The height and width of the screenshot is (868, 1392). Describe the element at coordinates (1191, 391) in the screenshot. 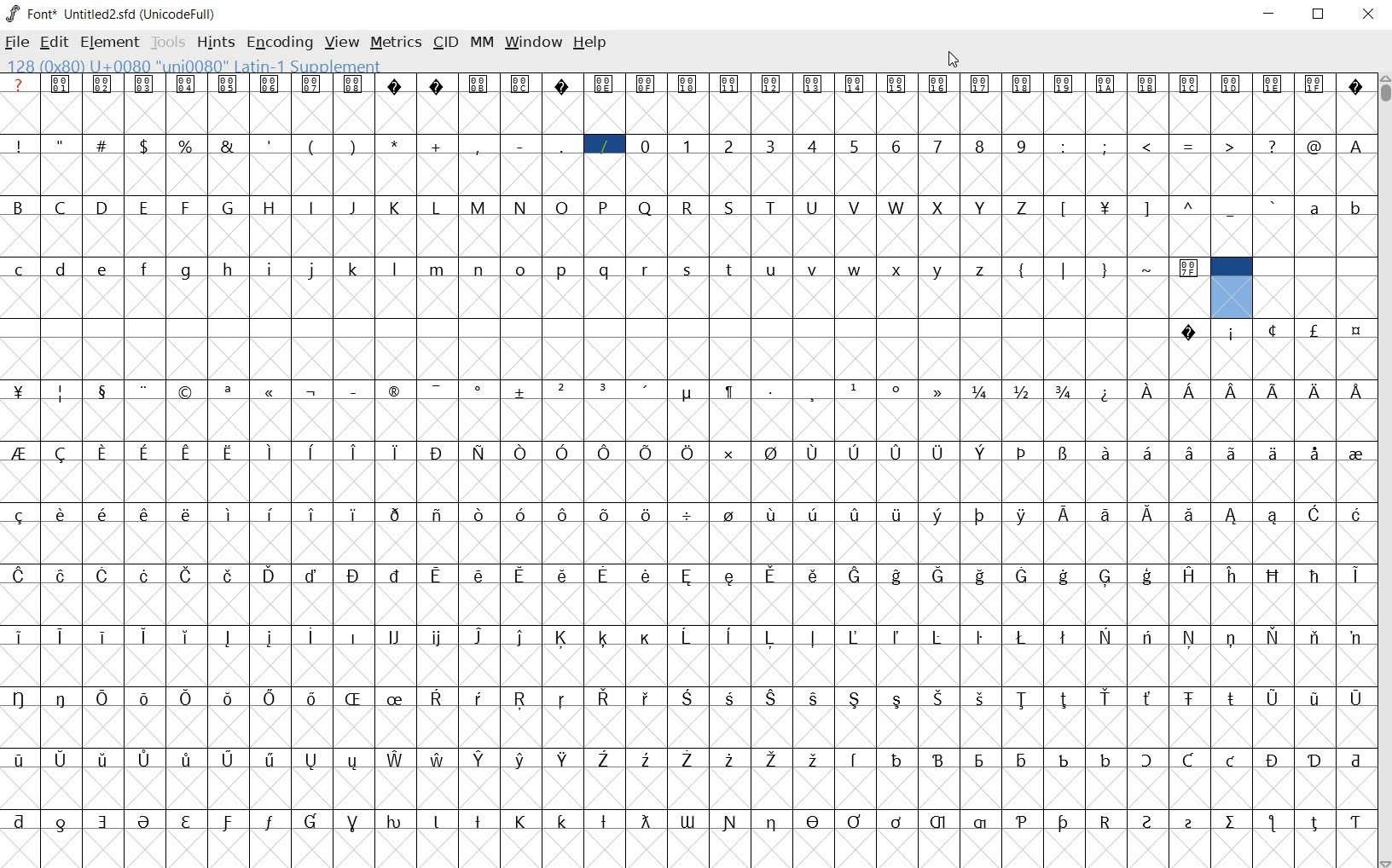

I see `Symbol` at that location.